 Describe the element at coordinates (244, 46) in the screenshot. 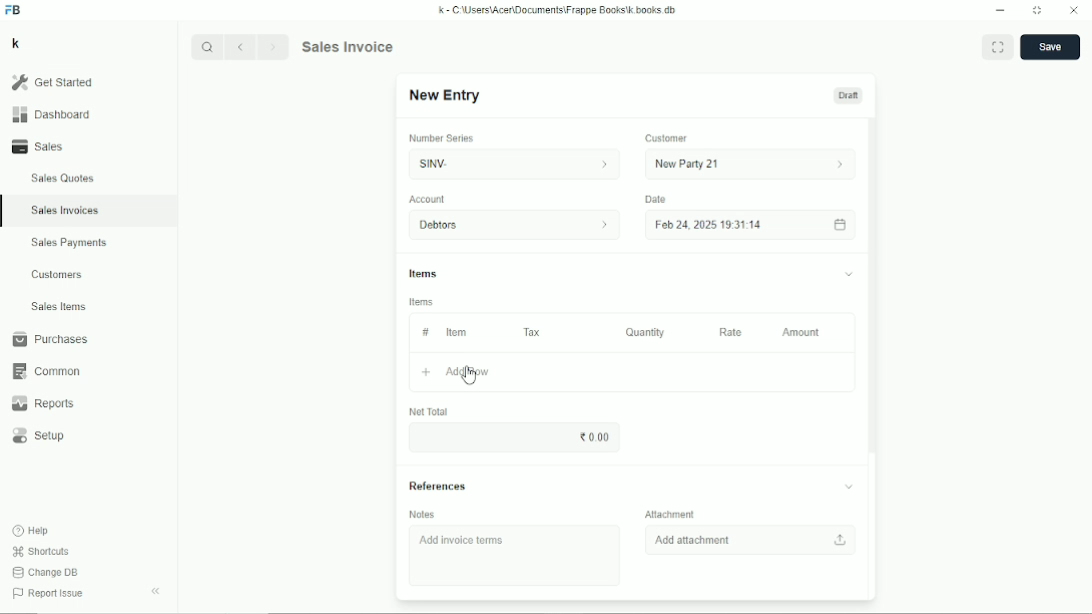

I see `Backward` at that location.